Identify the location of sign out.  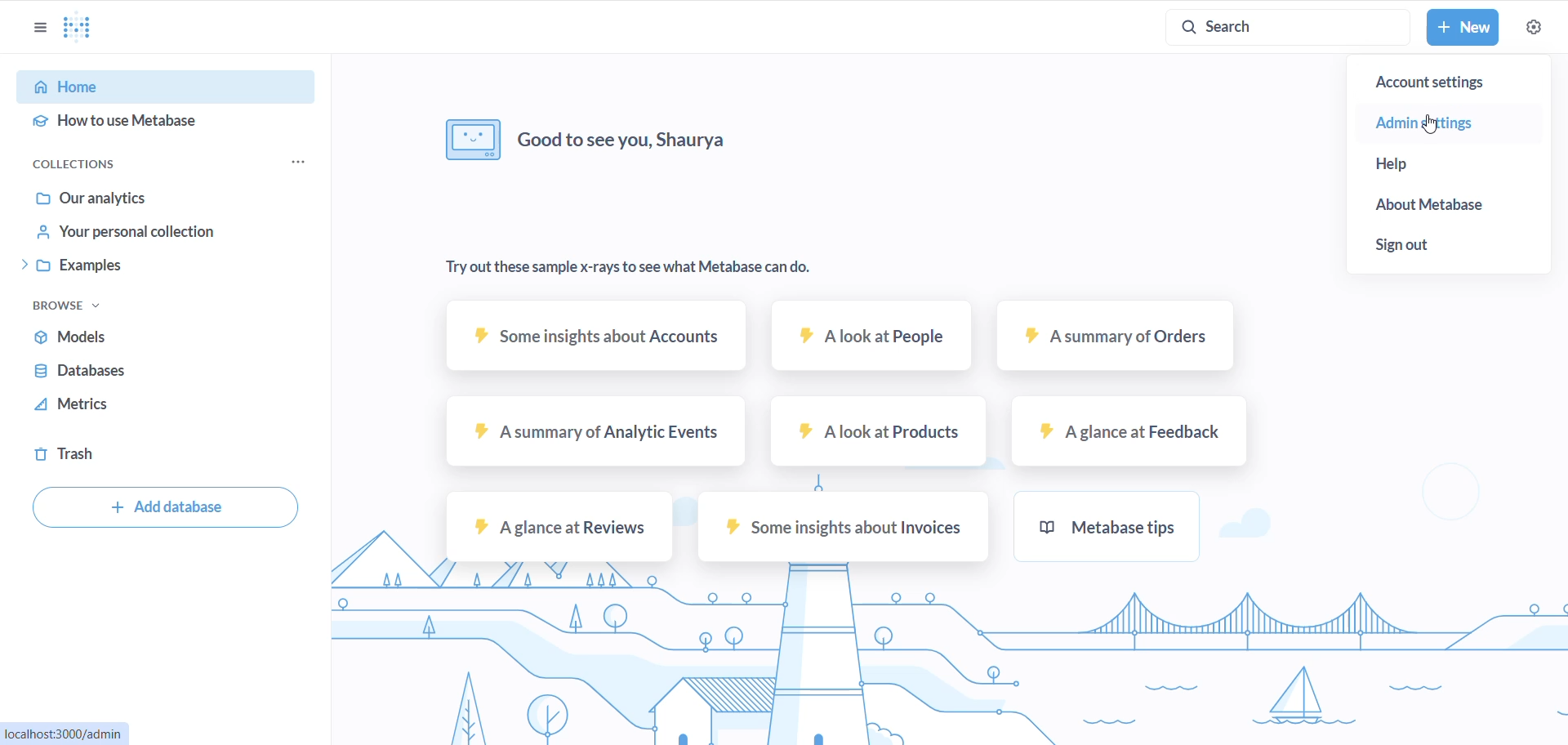
(1418, 246).